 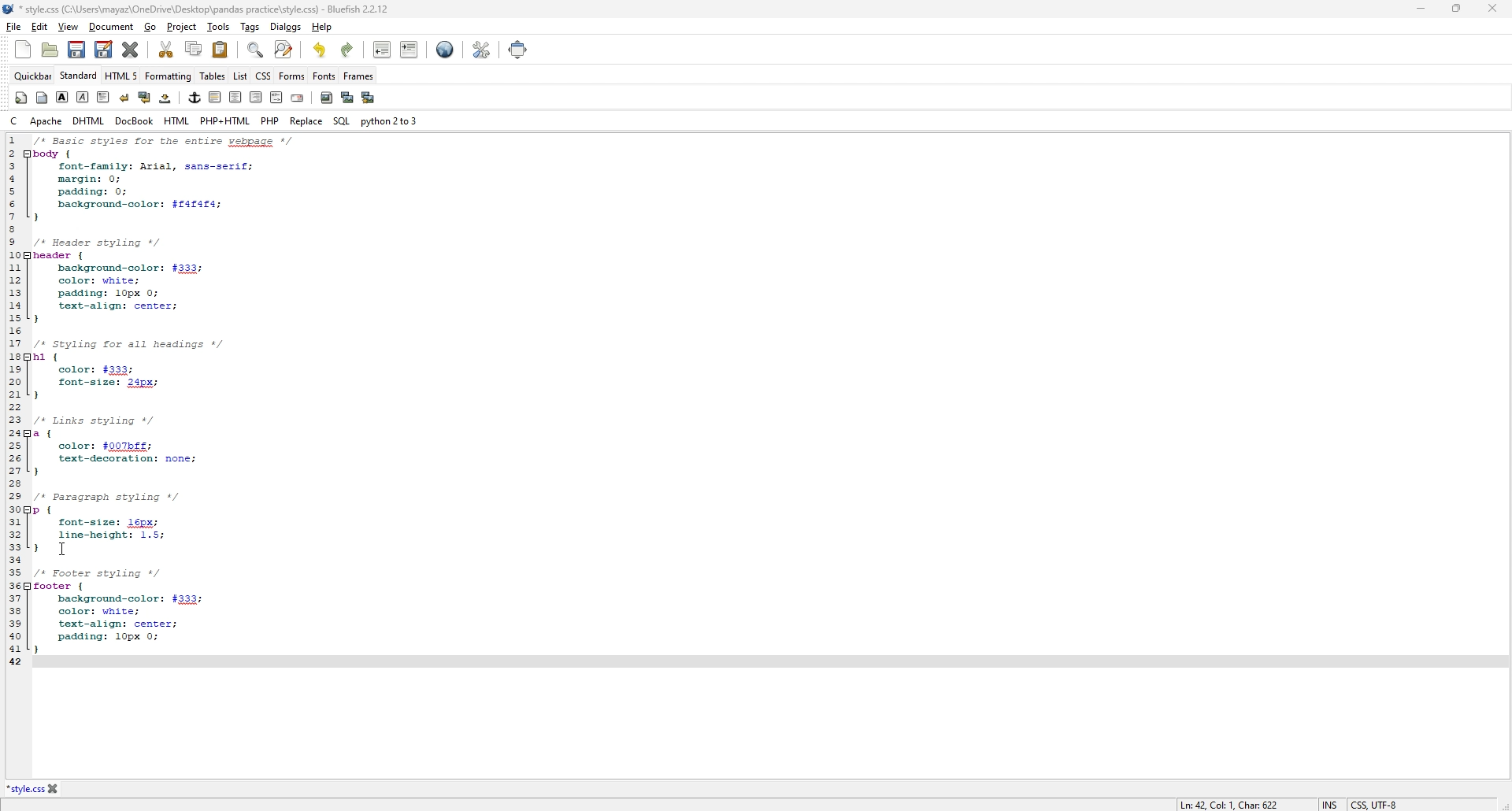 I want to click on cut, so click(x=166, y=48).